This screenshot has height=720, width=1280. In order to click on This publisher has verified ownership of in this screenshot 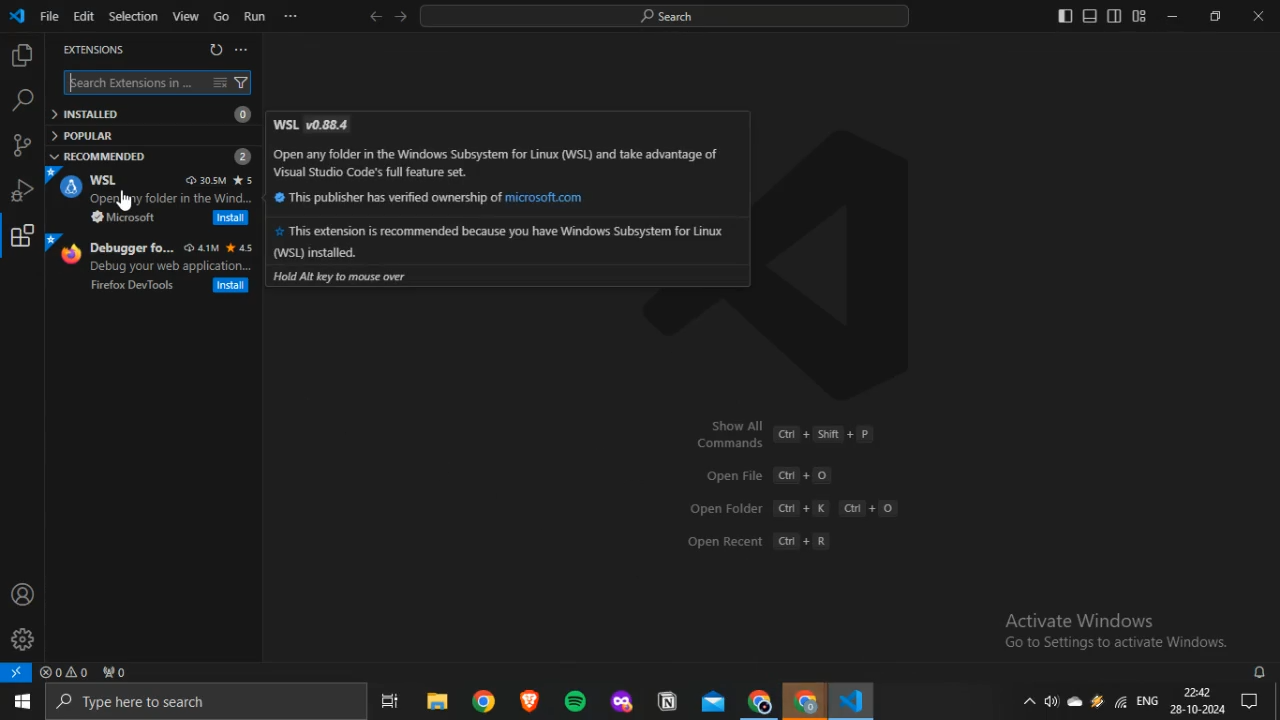, I will do `click(387, 197)`.